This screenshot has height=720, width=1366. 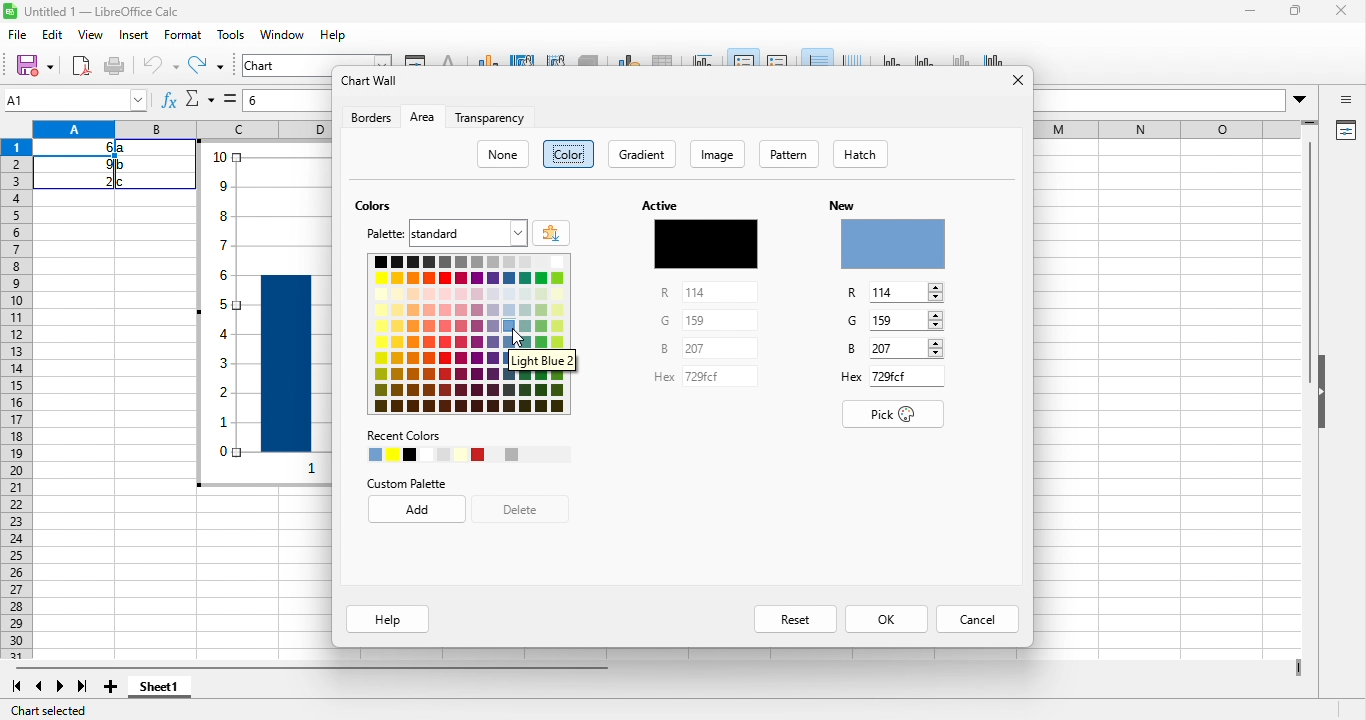 What do you see at coordinates (907, 321) in the screenshot?
I see `159` at bounding box center [907, 321].